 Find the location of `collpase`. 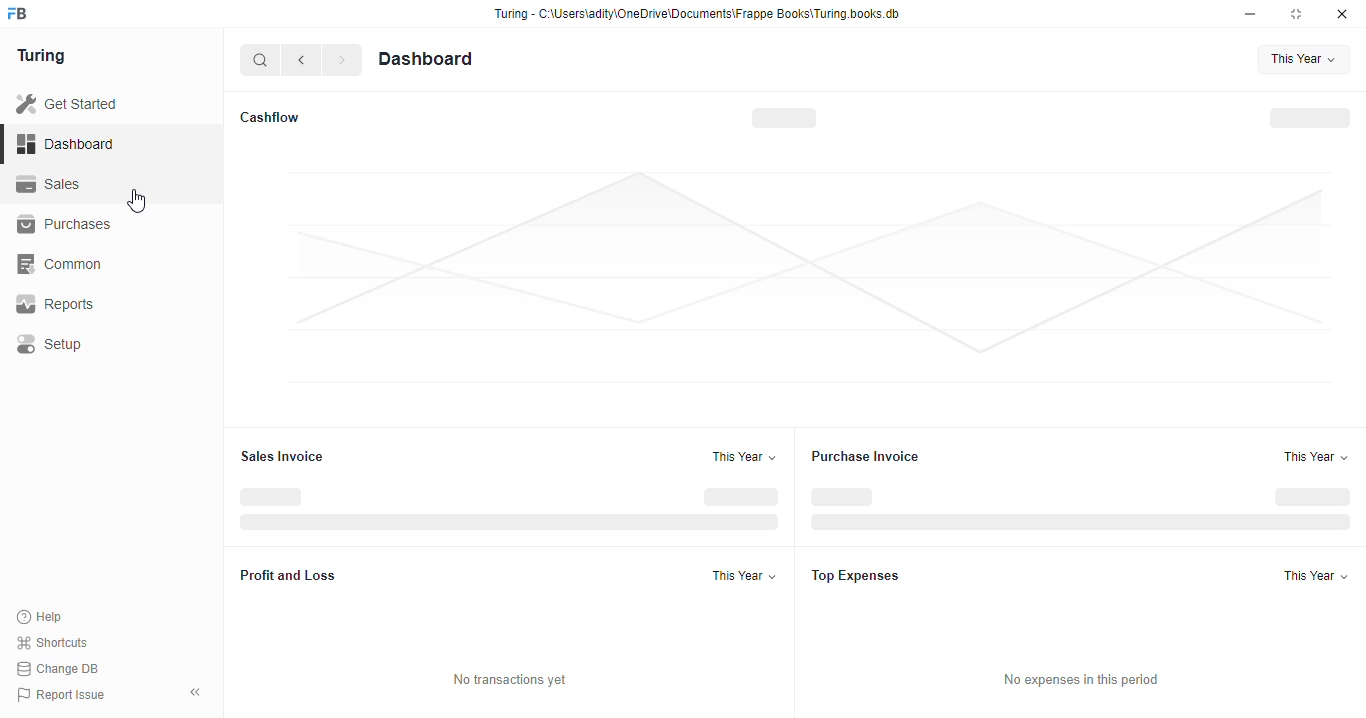

collpase is located at coordinates (197, 688).